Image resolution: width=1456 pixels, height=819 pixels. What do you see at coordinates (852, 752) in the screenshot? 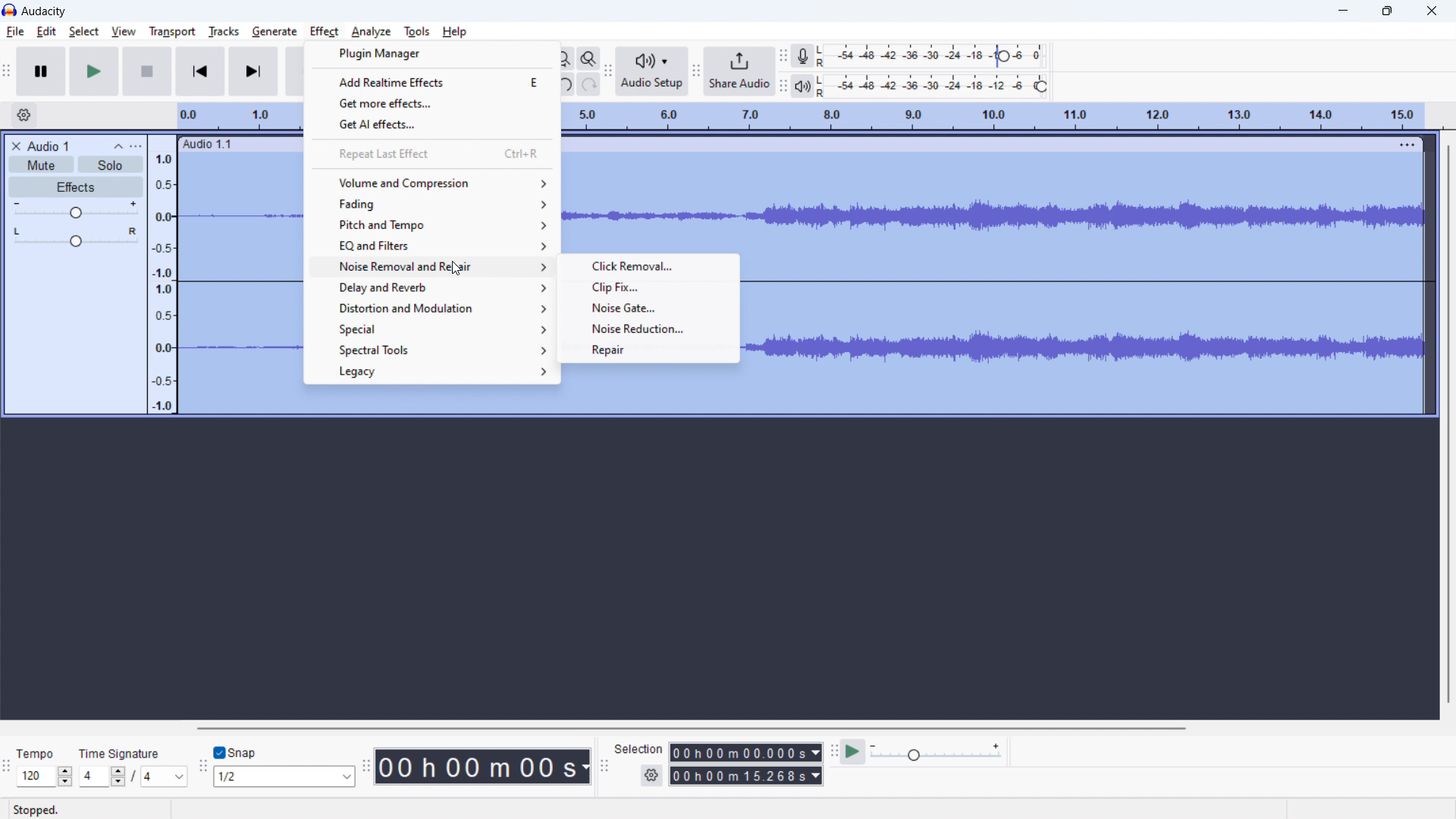
I see `play at speed` at bounding box center [852, 752].